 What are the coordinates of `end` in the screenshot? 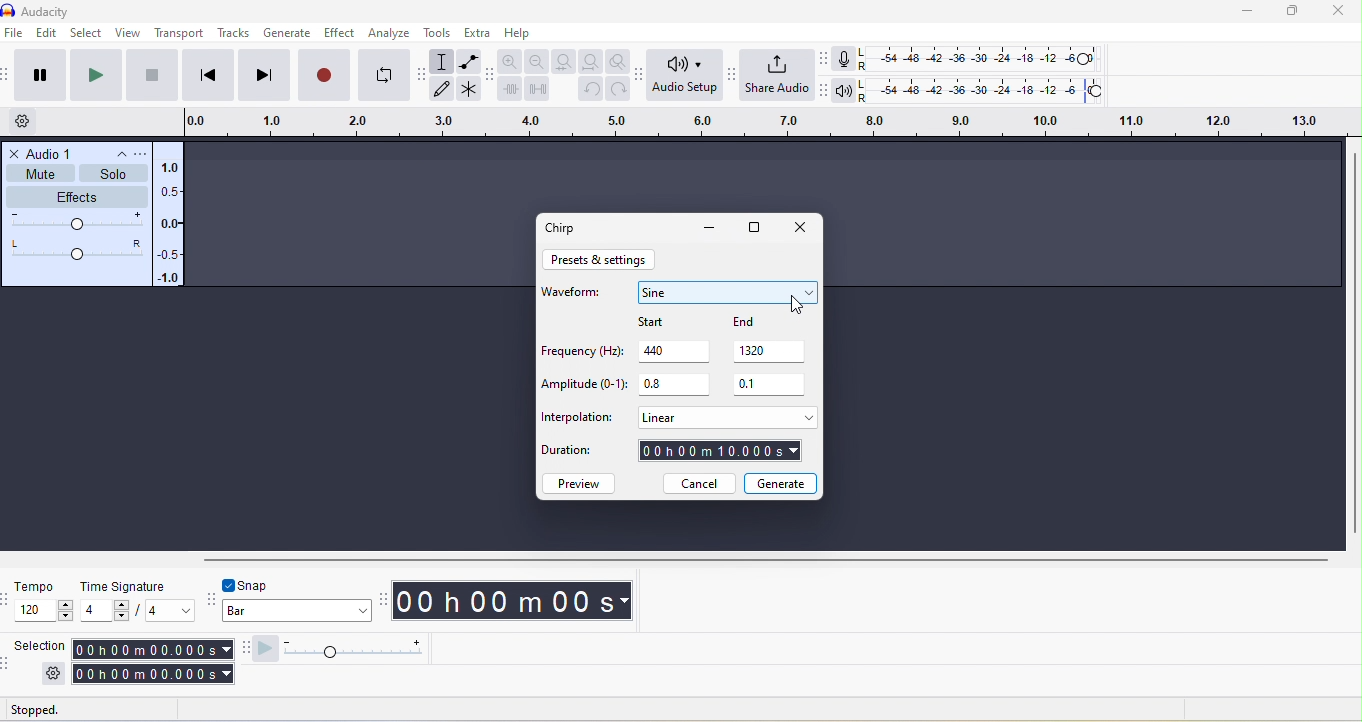 It's located at (760, 322).